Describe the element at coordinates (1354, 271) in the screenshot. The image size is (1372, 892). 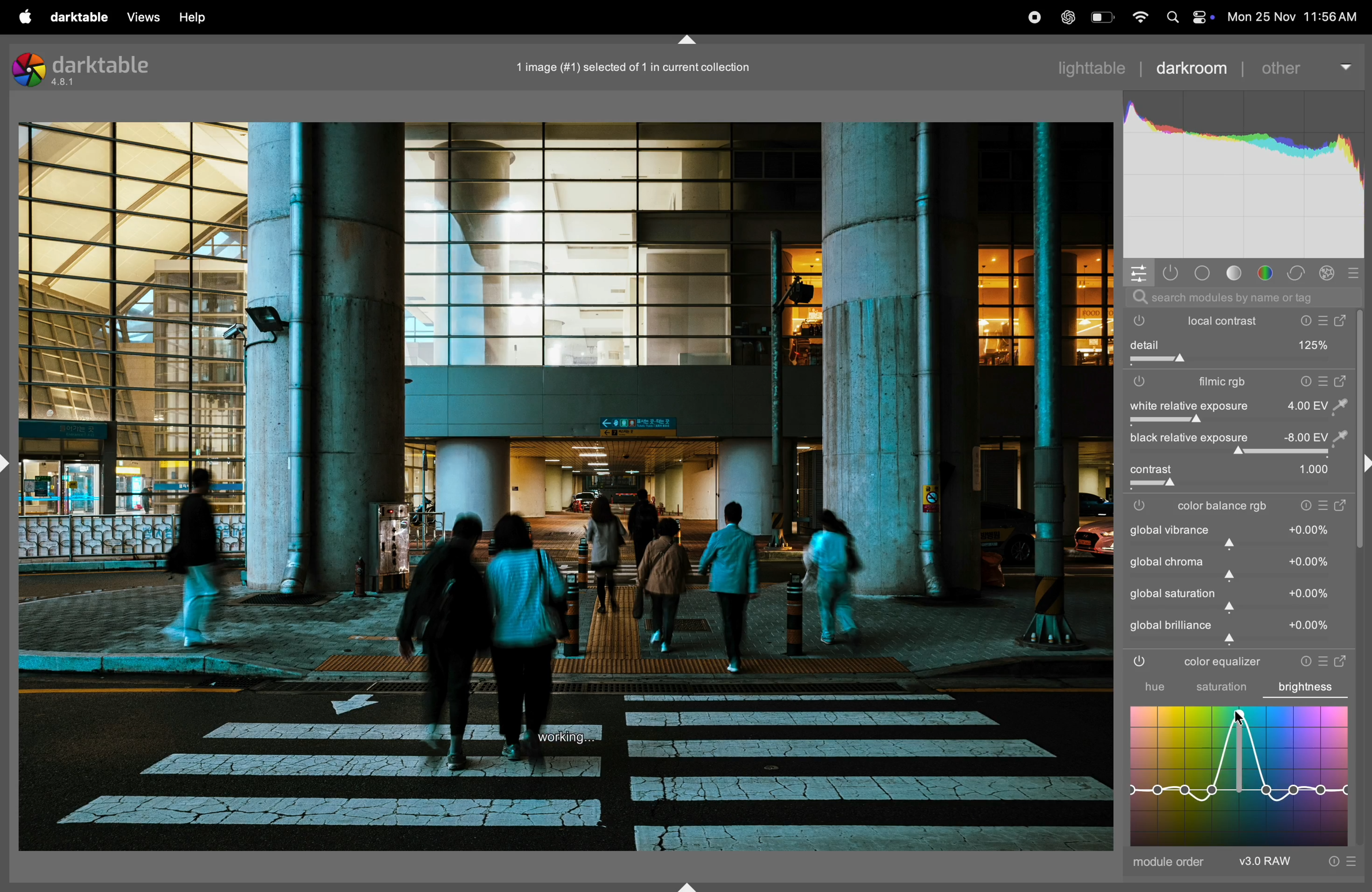
I see `preset` at that location.